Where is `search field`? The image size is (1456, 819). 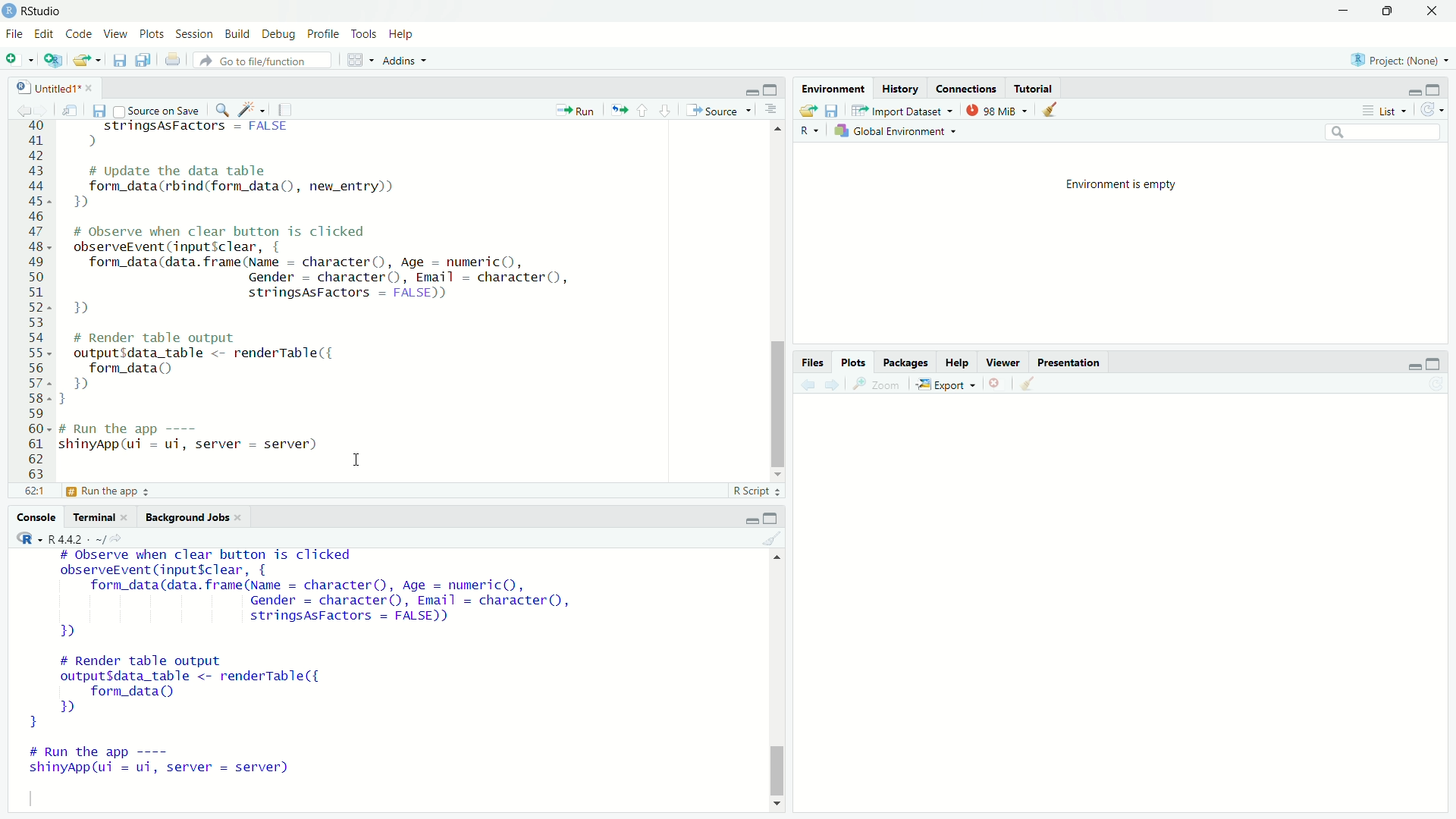 search field is located at coordinates (1385, 135).